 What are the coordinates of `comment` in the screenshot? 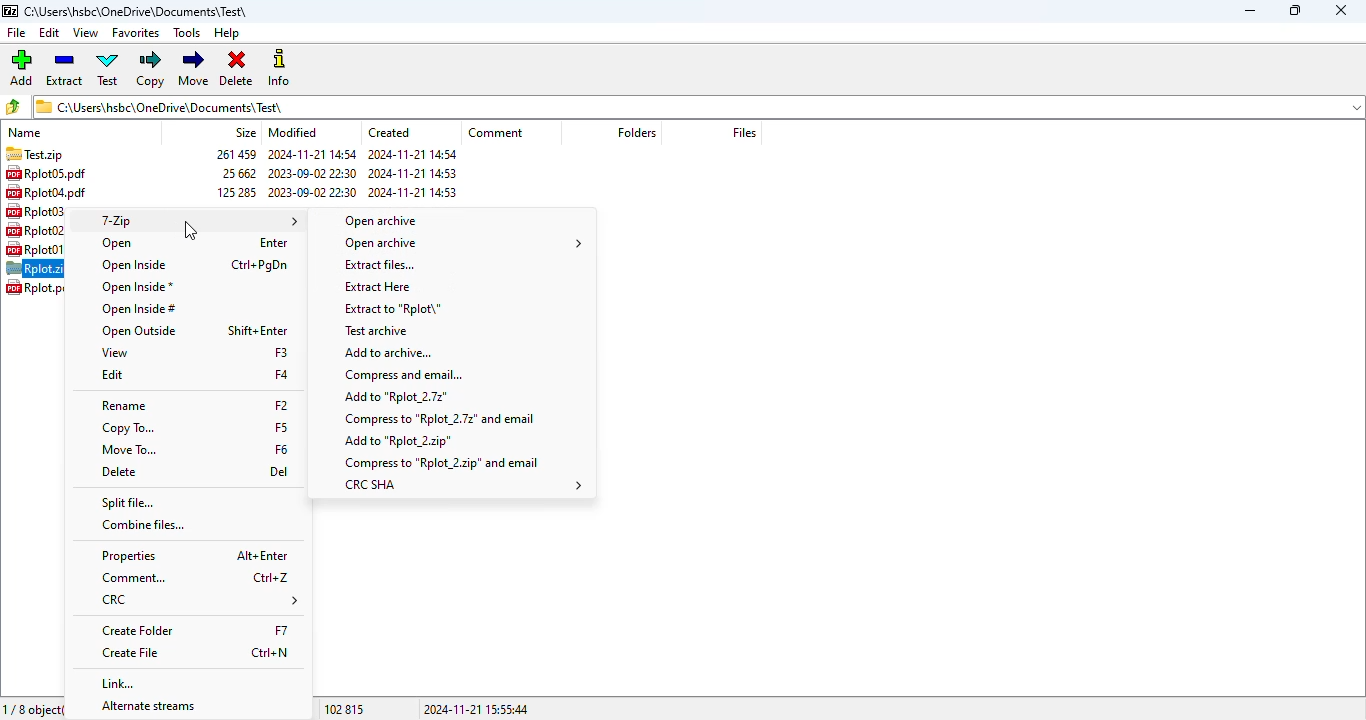 It's located at (132, 578).